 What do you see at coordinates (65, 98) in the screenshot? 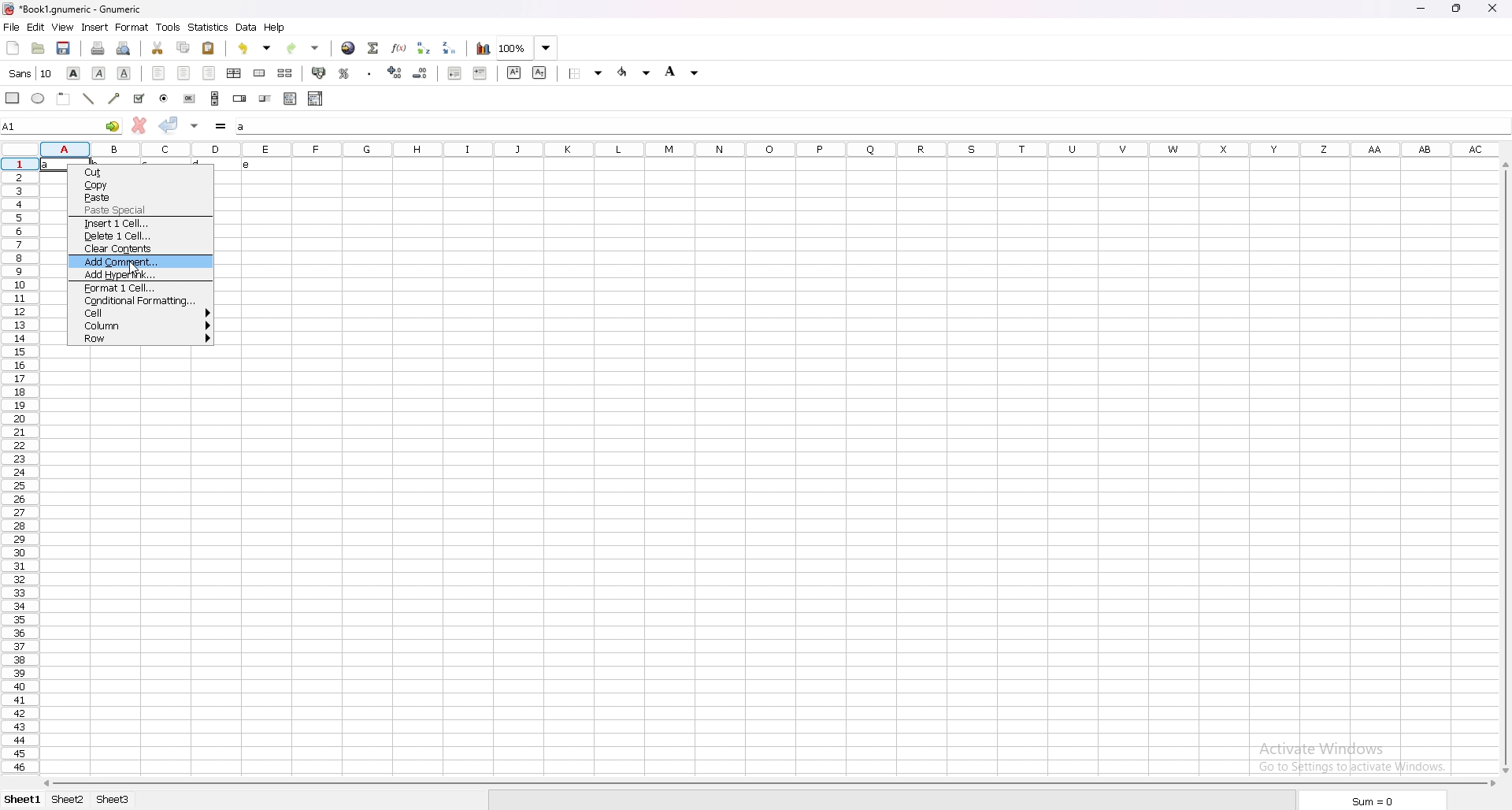
I see `frame` at bounding box center [65, 98].